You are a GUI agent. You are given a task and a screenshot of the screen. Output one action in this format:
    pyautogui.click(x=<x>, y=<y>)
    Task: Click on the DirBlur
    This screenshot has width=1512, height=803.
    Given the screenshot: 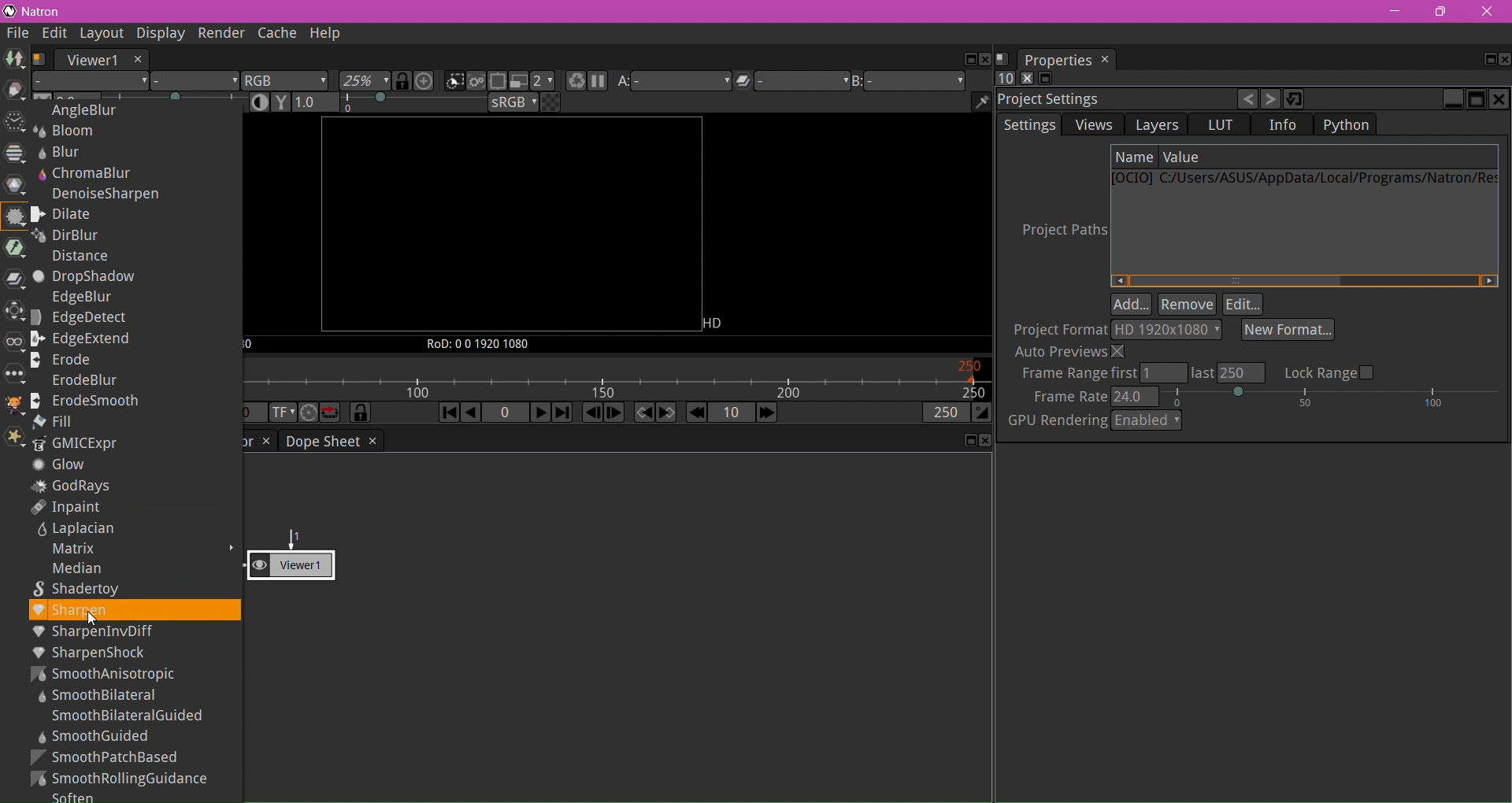 What is the action you would take?
    pyautogui.click(x=69, y=237)
    